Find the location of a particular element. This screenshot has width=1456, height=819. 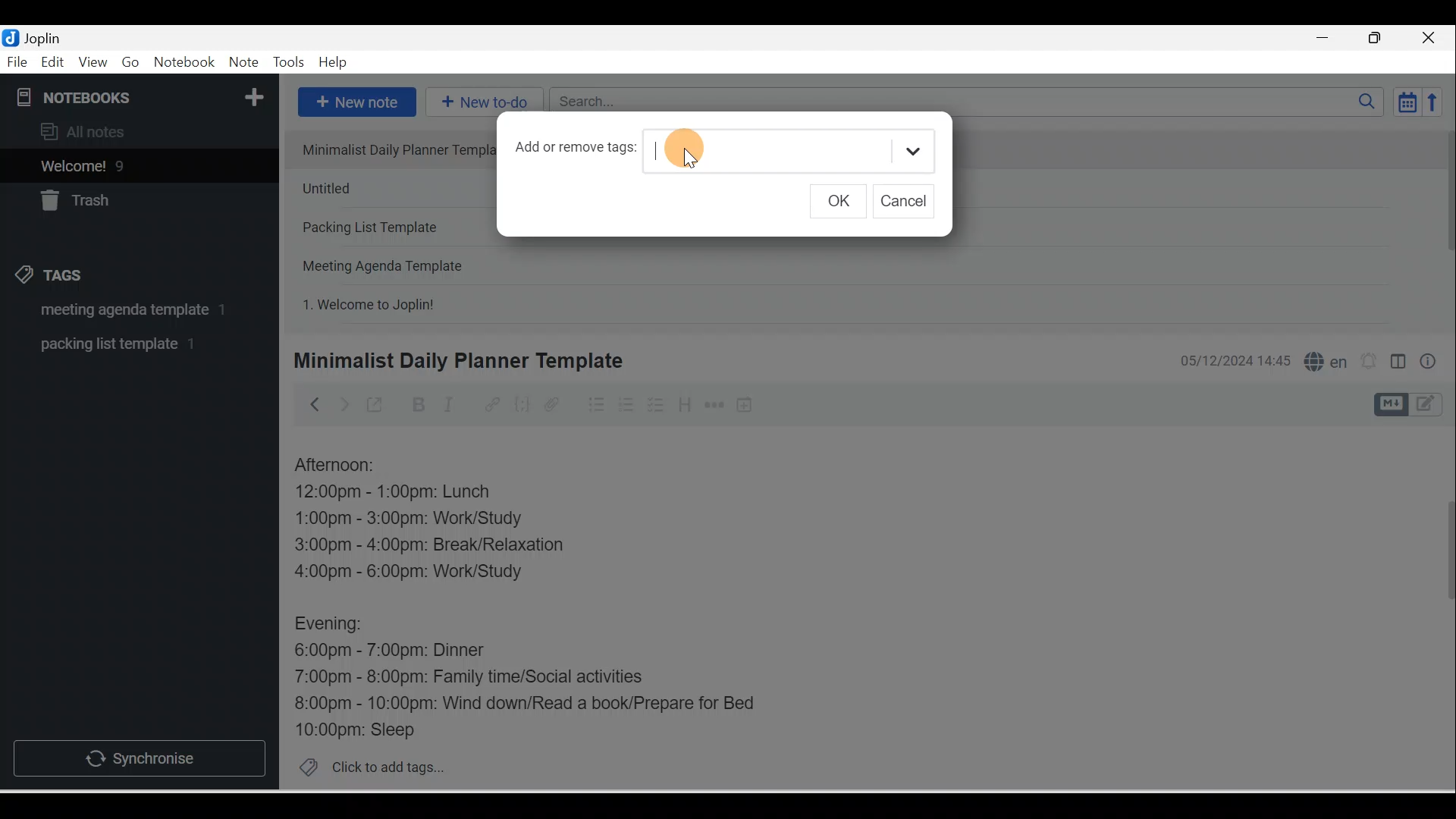

Tools is located at coordinates (288, 62).